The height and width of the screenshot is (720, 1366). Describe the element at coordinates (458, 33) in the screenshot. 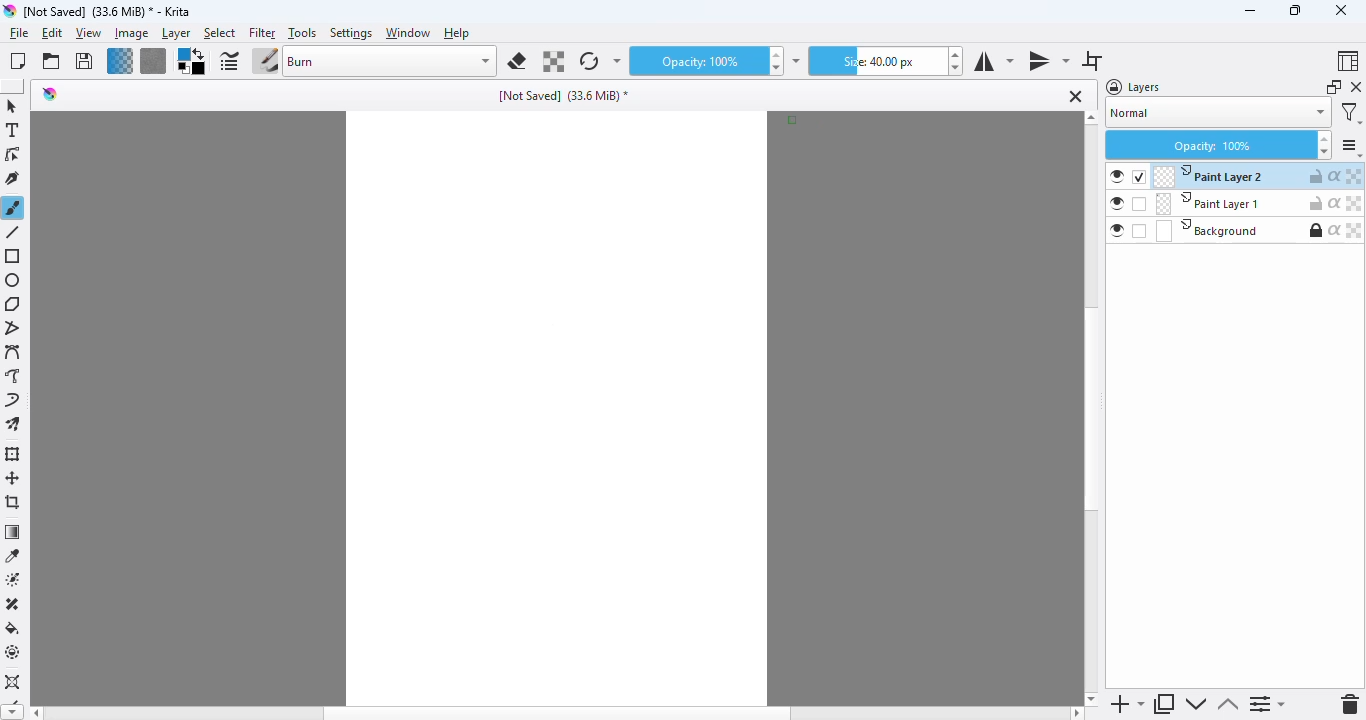

I see `help` at that location.